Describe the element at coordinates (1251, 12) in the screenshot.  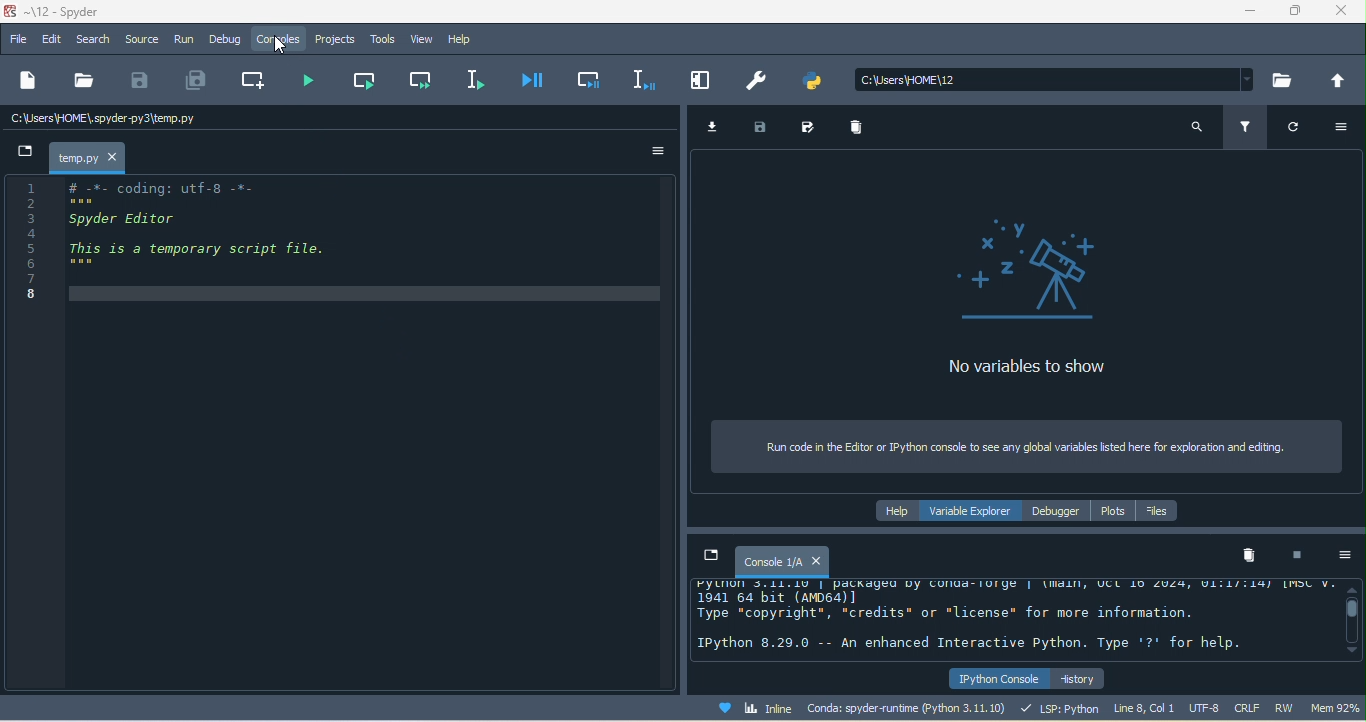
I see `minimize` at that location.